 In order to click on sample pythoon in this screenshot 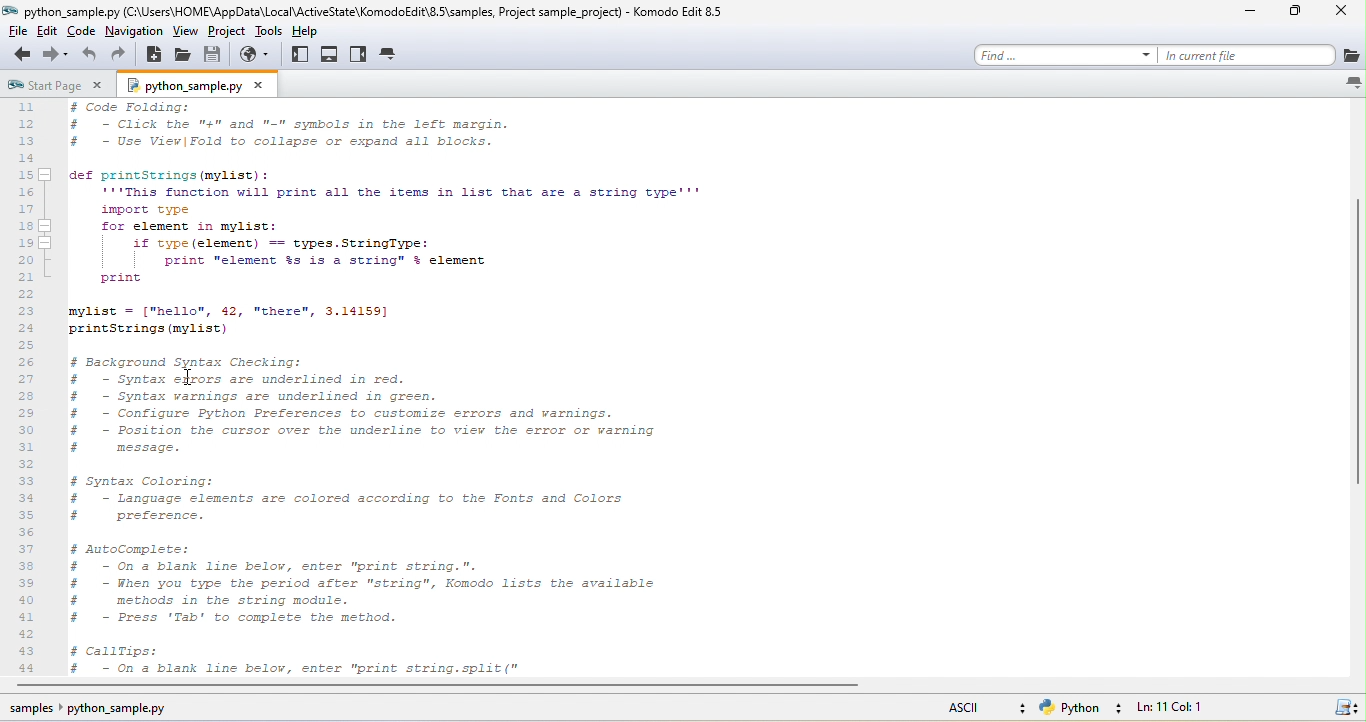, I will do `click(92, 707)`.